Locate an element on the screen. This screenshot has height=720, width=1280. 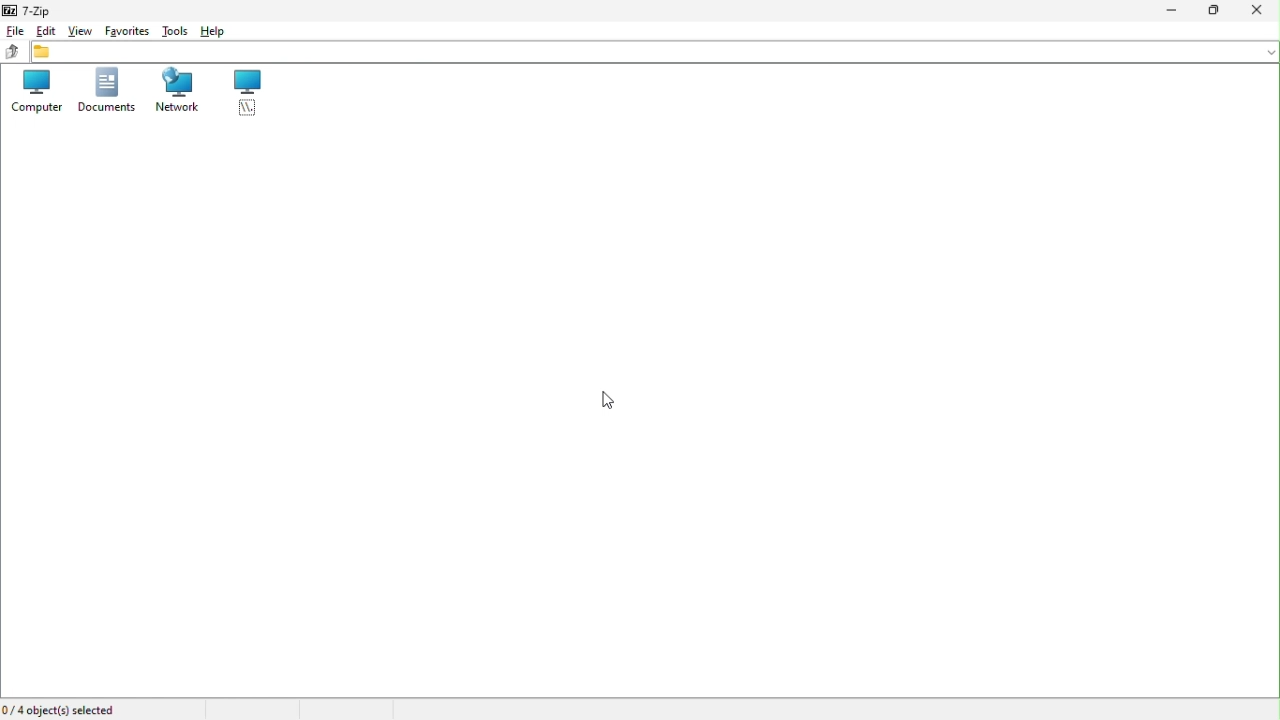
4 object selected is located at coordinates (66, 710).